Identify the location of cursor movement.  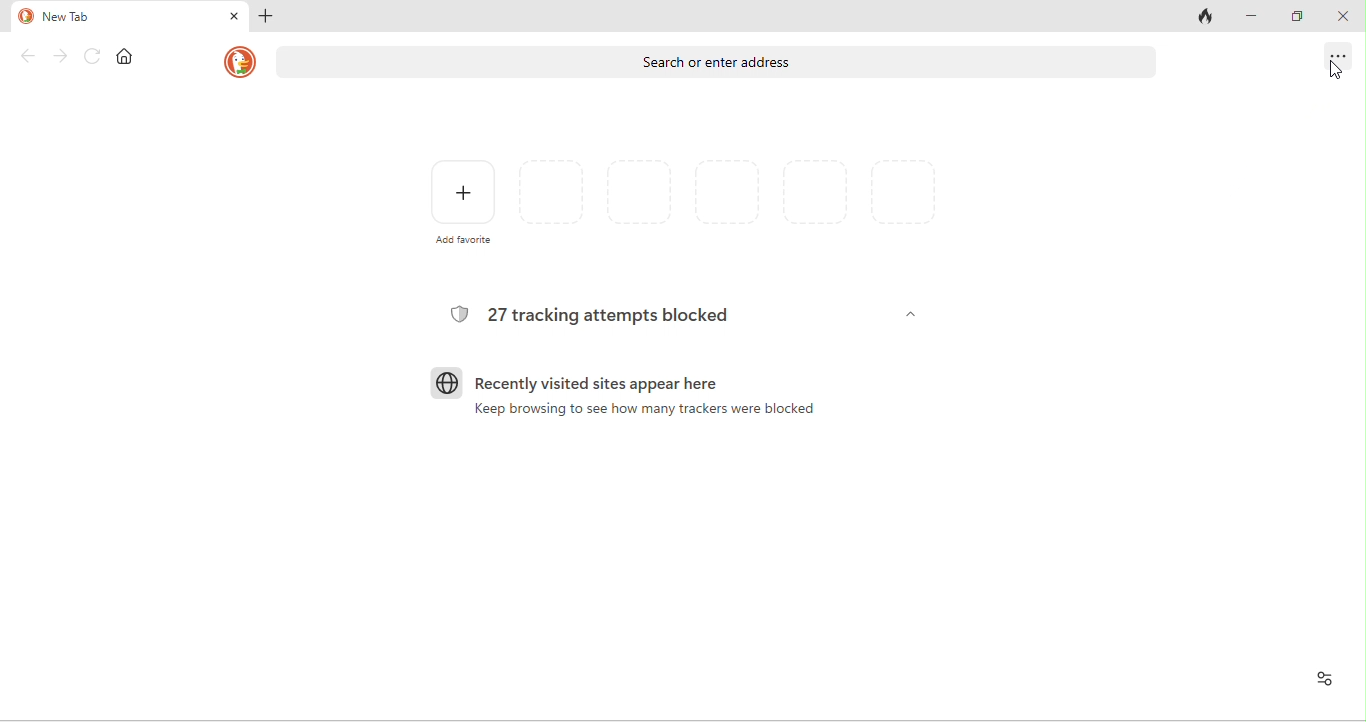
(1337, 73).